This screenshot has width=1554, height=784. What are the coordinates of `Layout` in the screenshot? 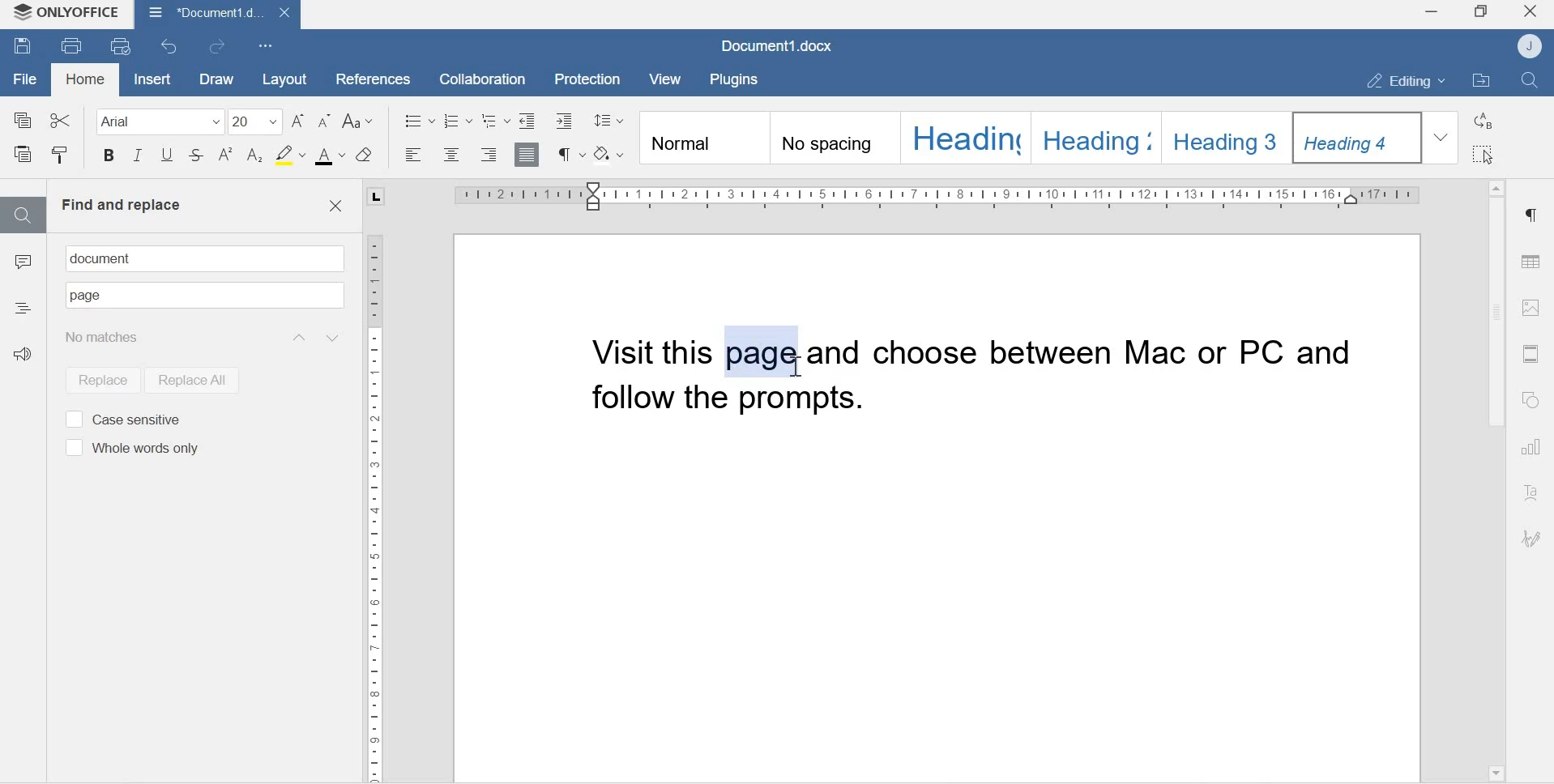 It's located at (283, 79).